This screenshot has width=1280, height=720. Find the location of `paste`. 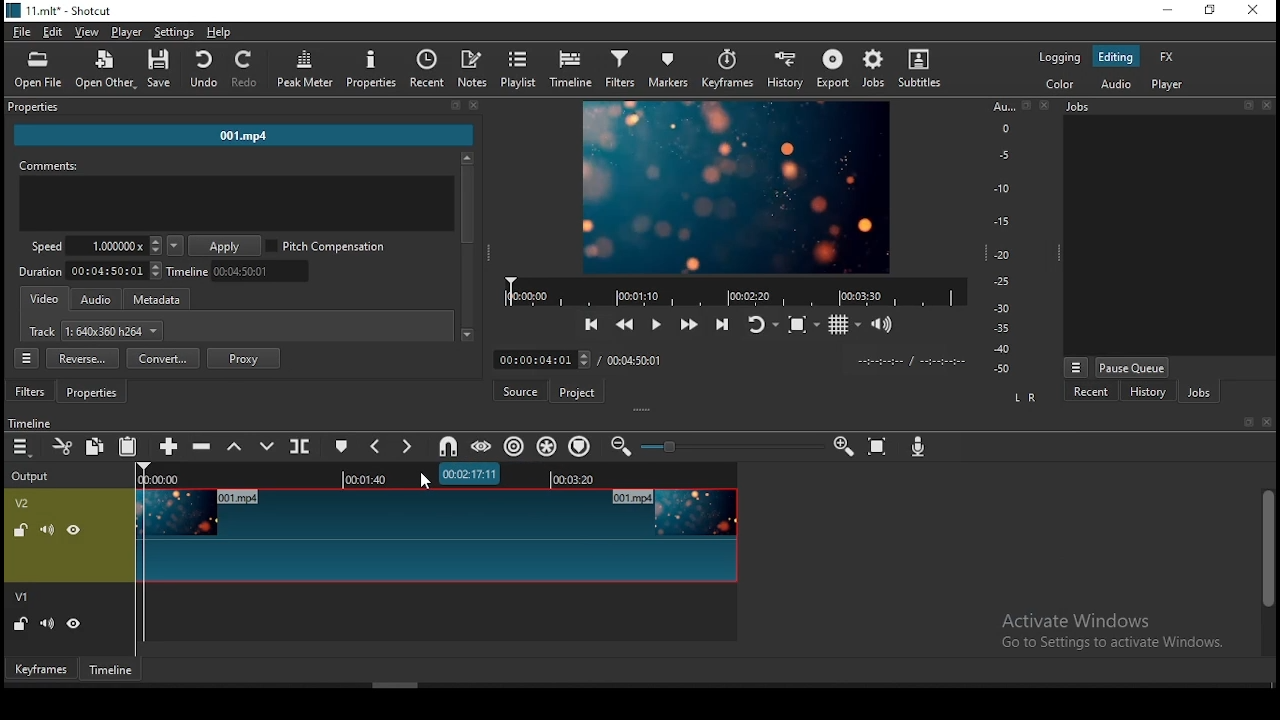

paste is located at coordinates (127, 449).